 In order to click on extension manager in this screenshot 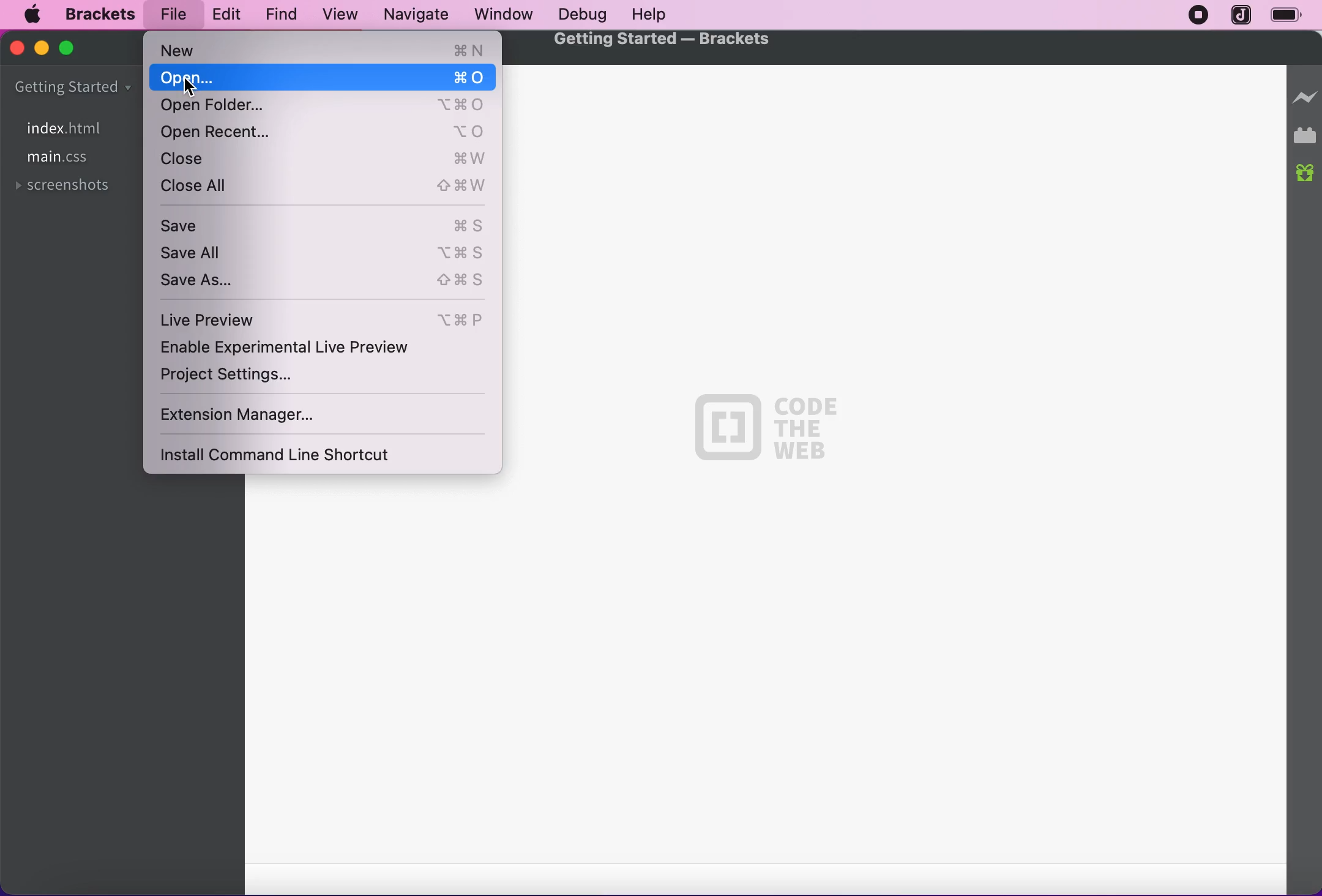, I will do `click(277, 413)`.